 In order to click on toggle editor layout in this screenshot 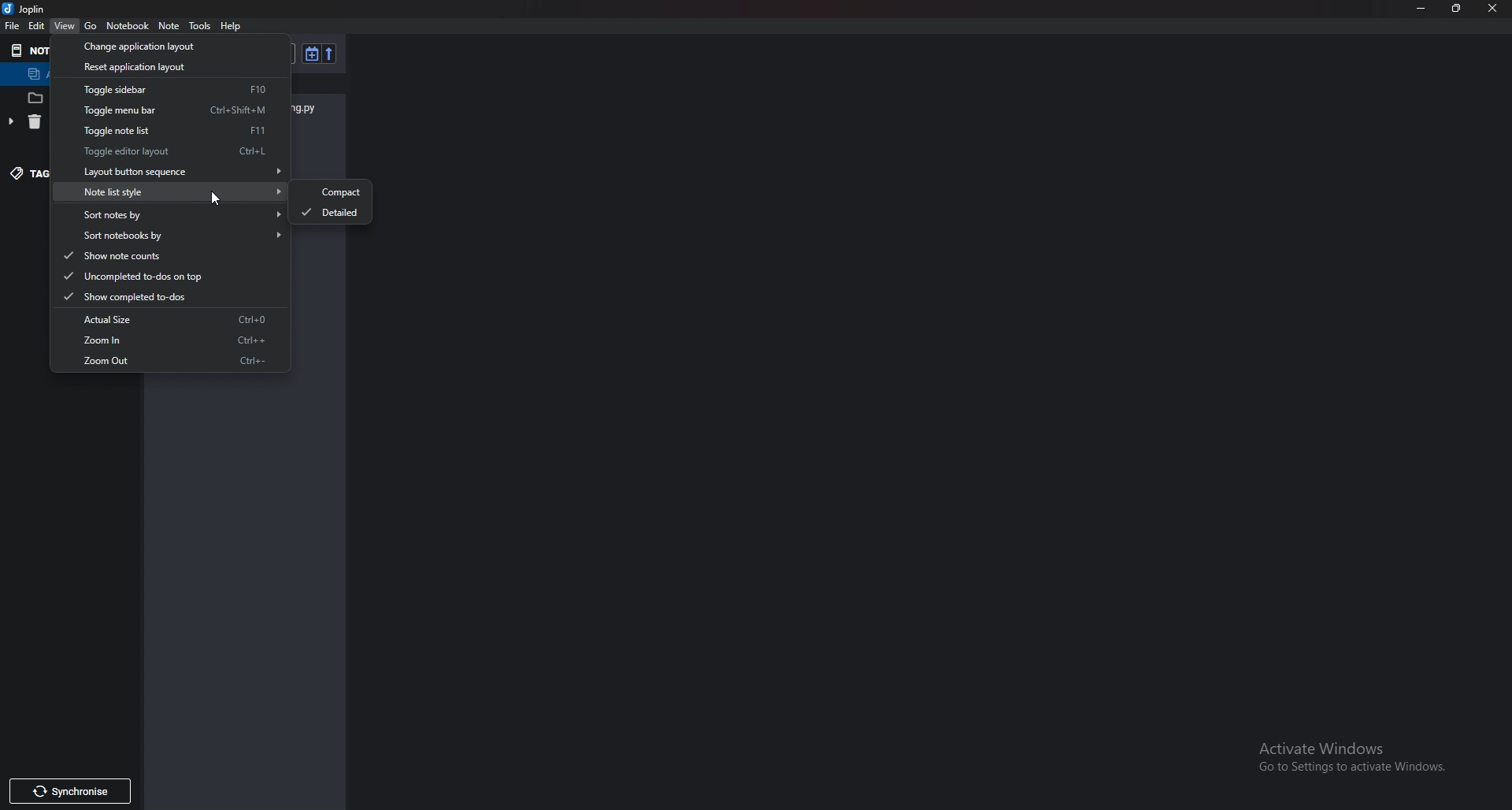, I will do `click(172, 151)`.